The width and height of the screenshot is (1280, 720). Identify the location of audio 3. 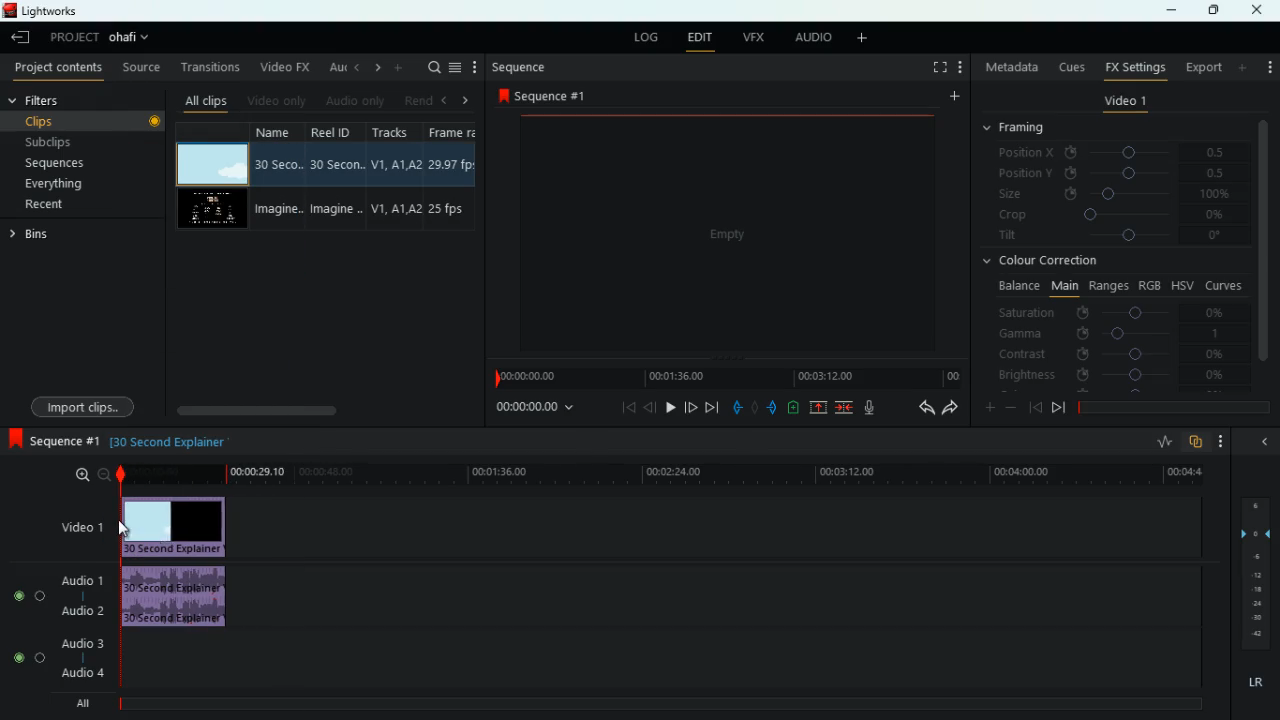
(77, 642).